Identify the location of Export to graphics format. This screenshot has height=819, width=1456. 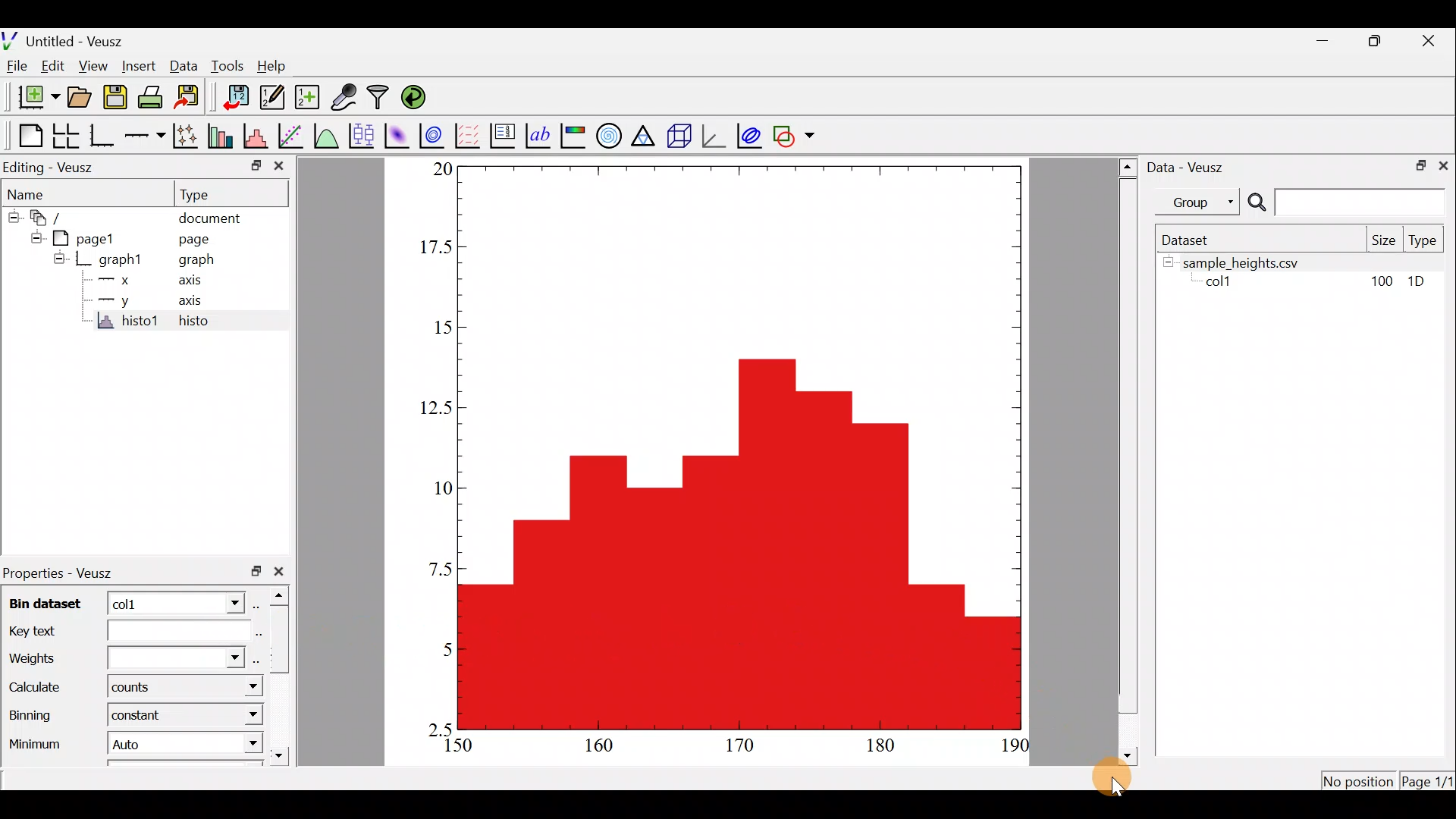
(192, 98).